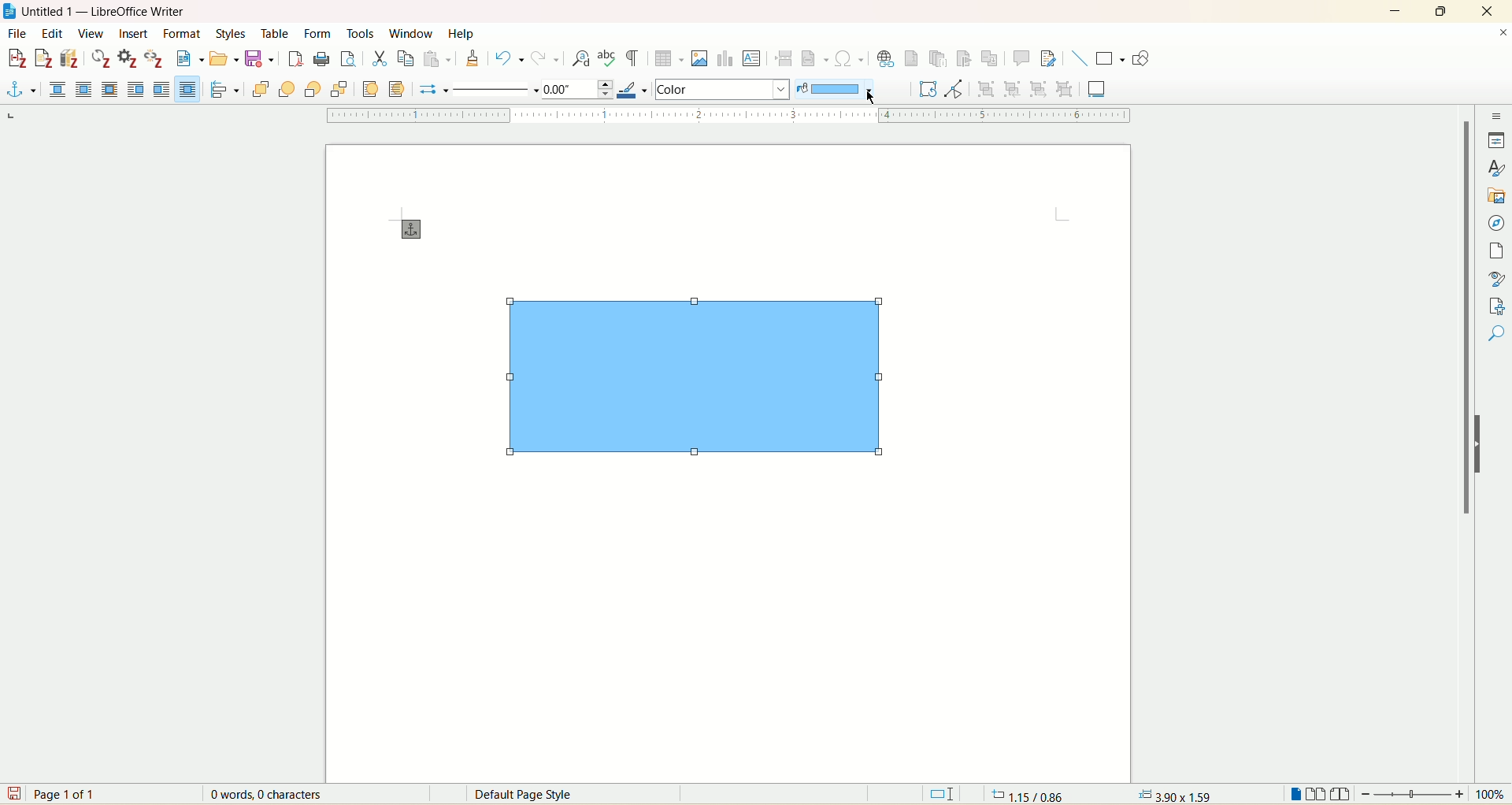 The height and width of the screenshot is (805, 1512). What do you see at coordinates (815, 56) in the screenshot?
I see `insert field` at bounding box center [815, 56].